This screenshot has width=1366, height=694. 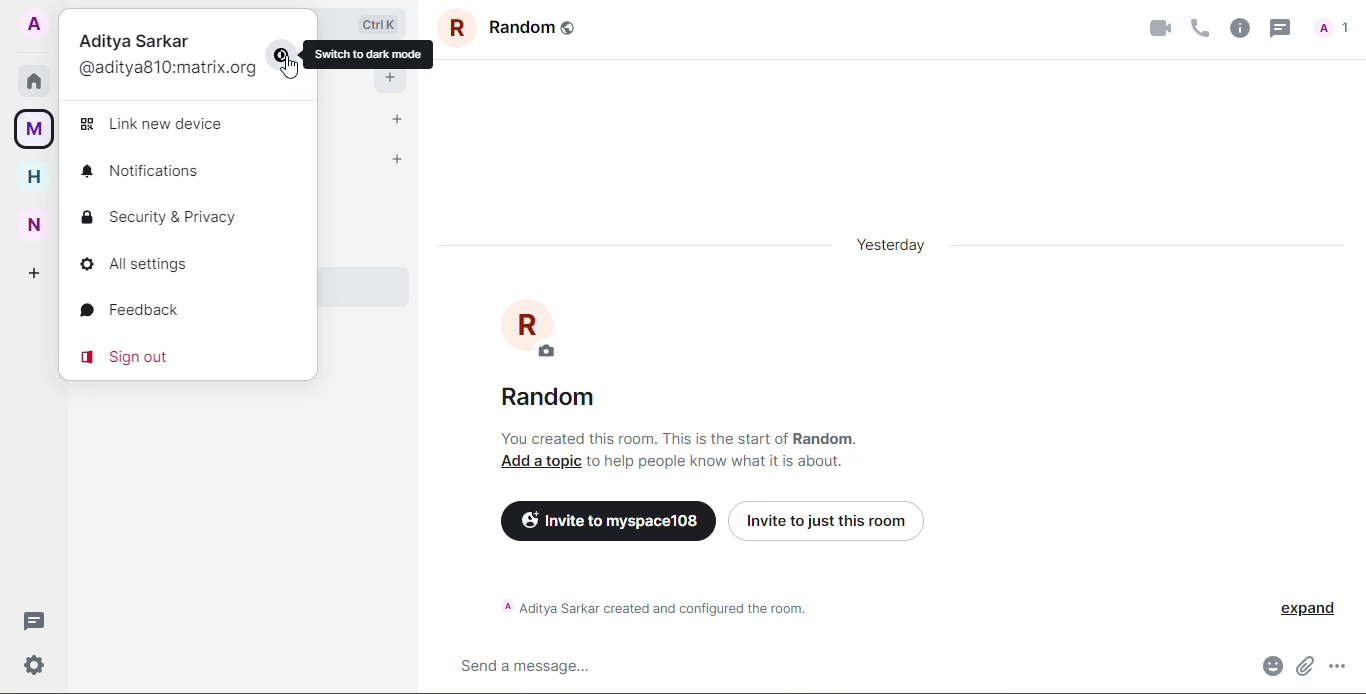 What do you see at coordinates (169, 216) in the screenshot?
I see `security` at bounding box center [169, 216].